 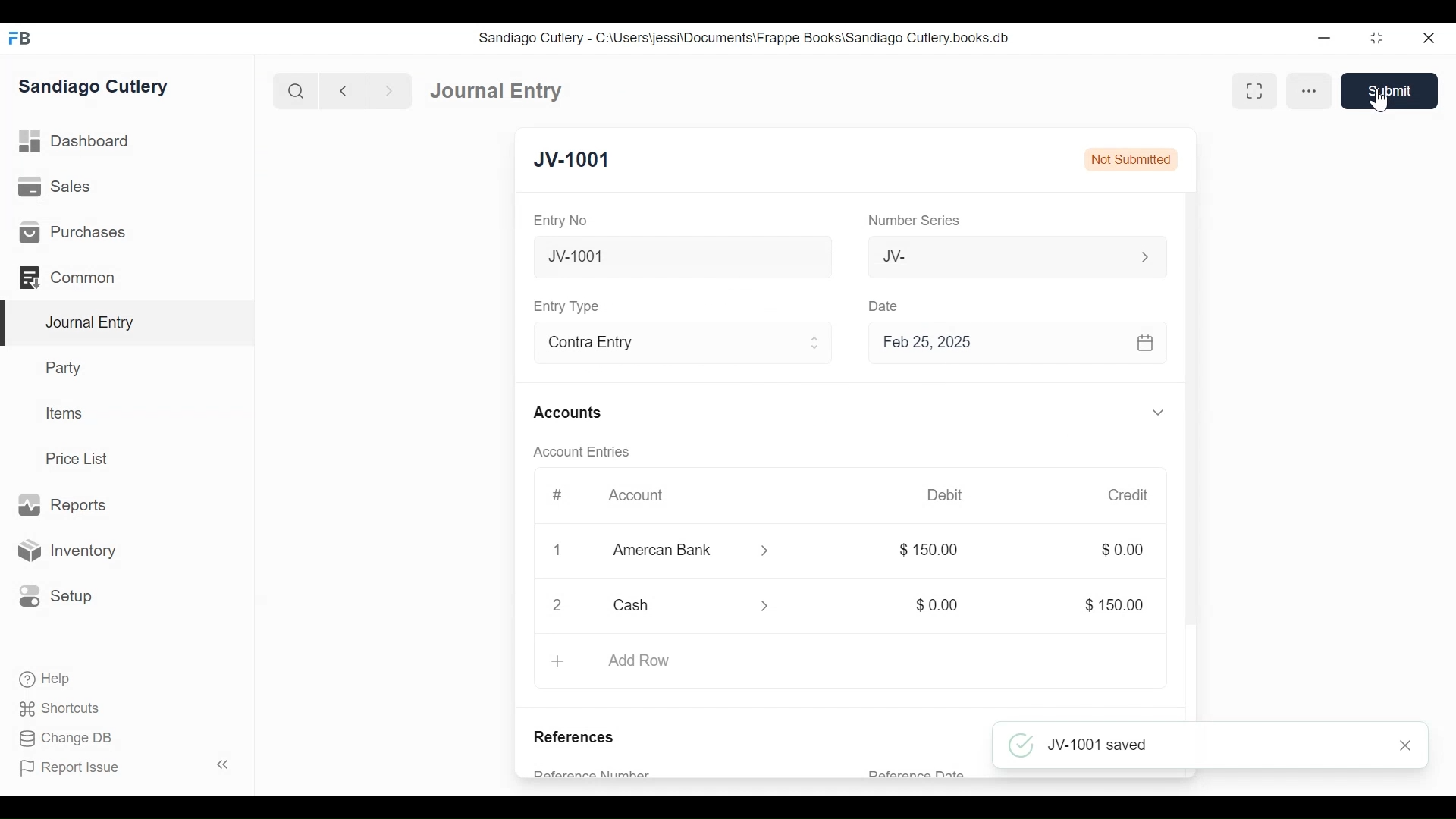 I want to click on Contra Entry, so click(x=658, y=344).